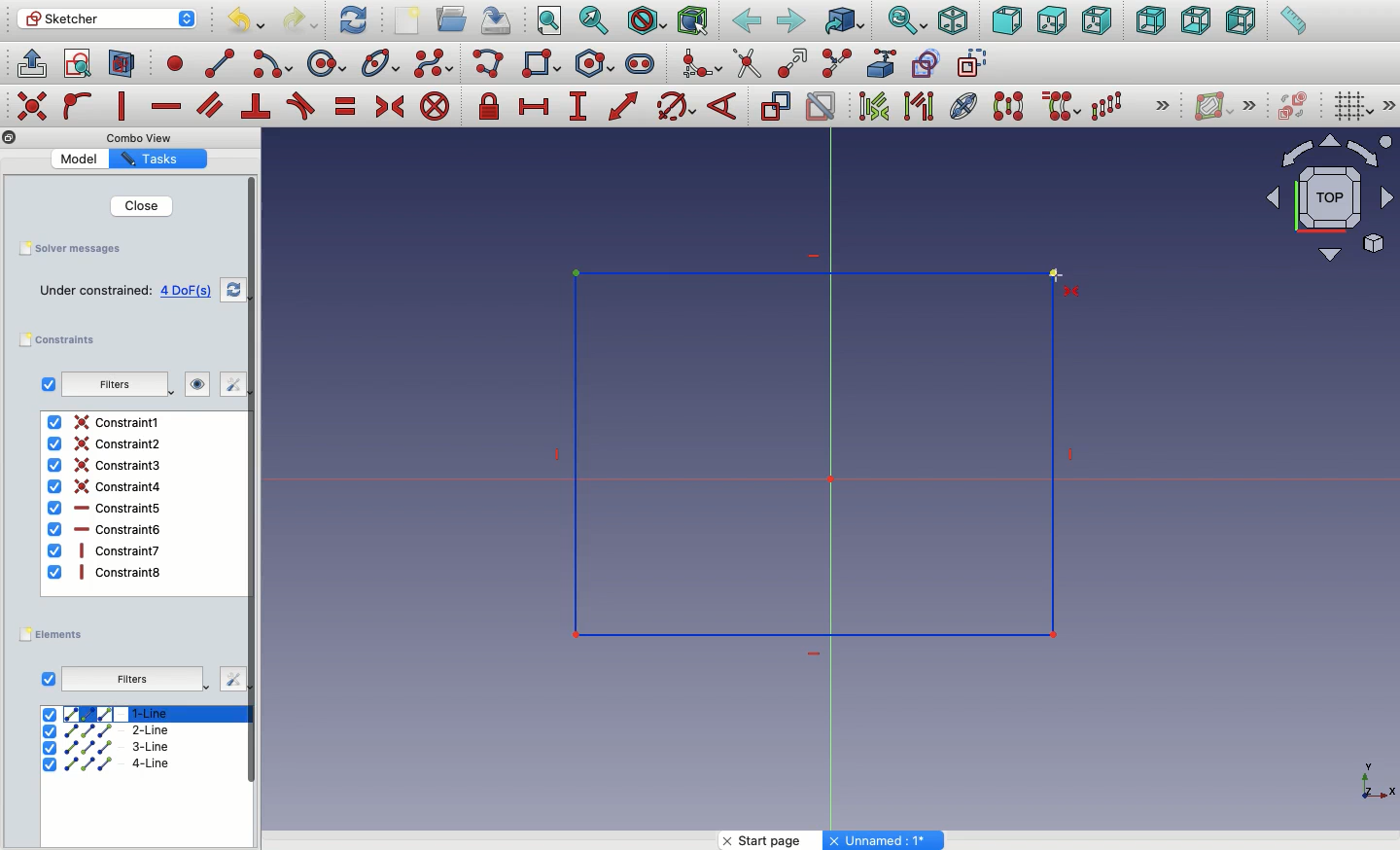 The image size is (1400, 850). I want to click on Axis, so click(1374, 775).